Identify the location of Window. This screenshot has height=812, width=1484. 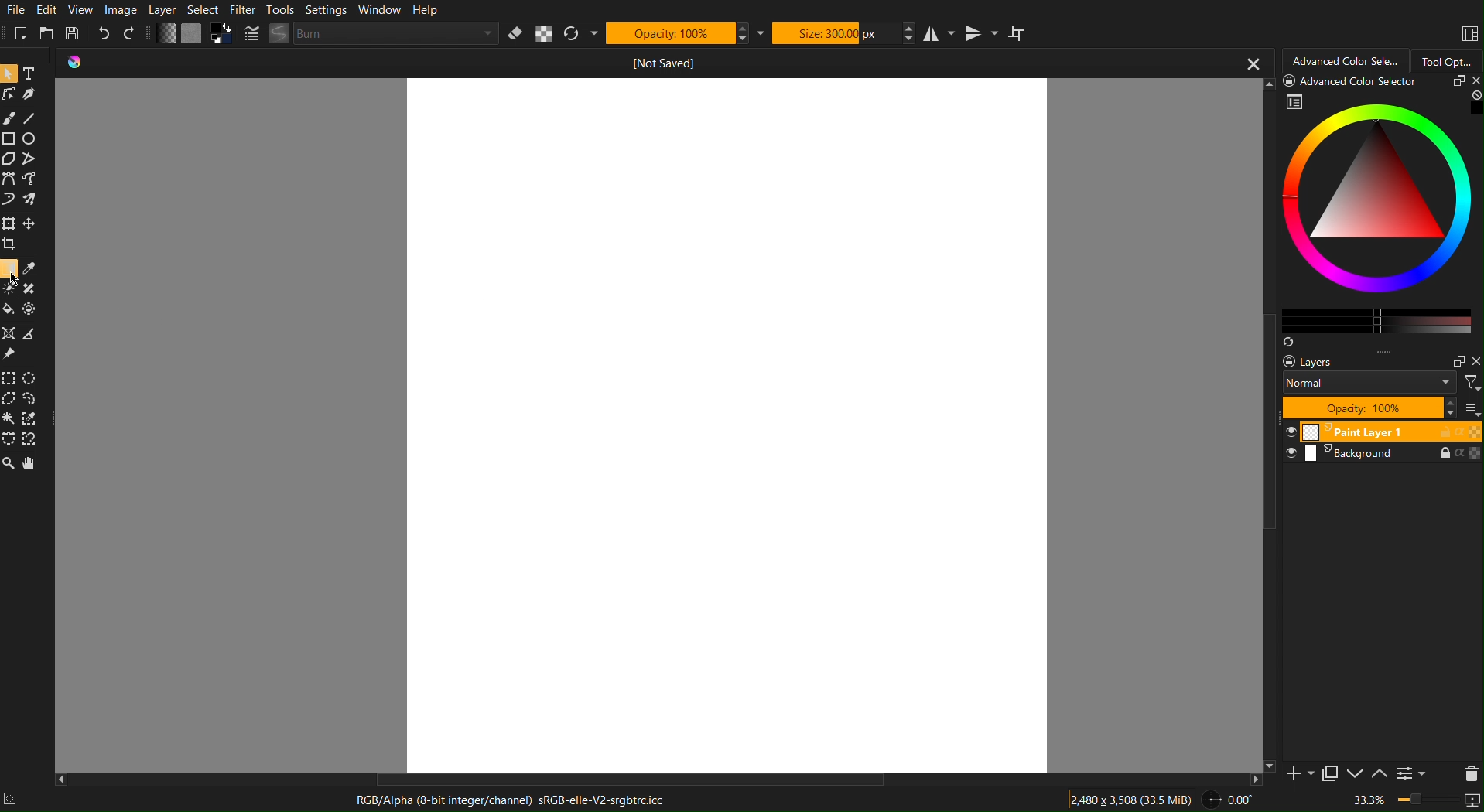
(377, 11).